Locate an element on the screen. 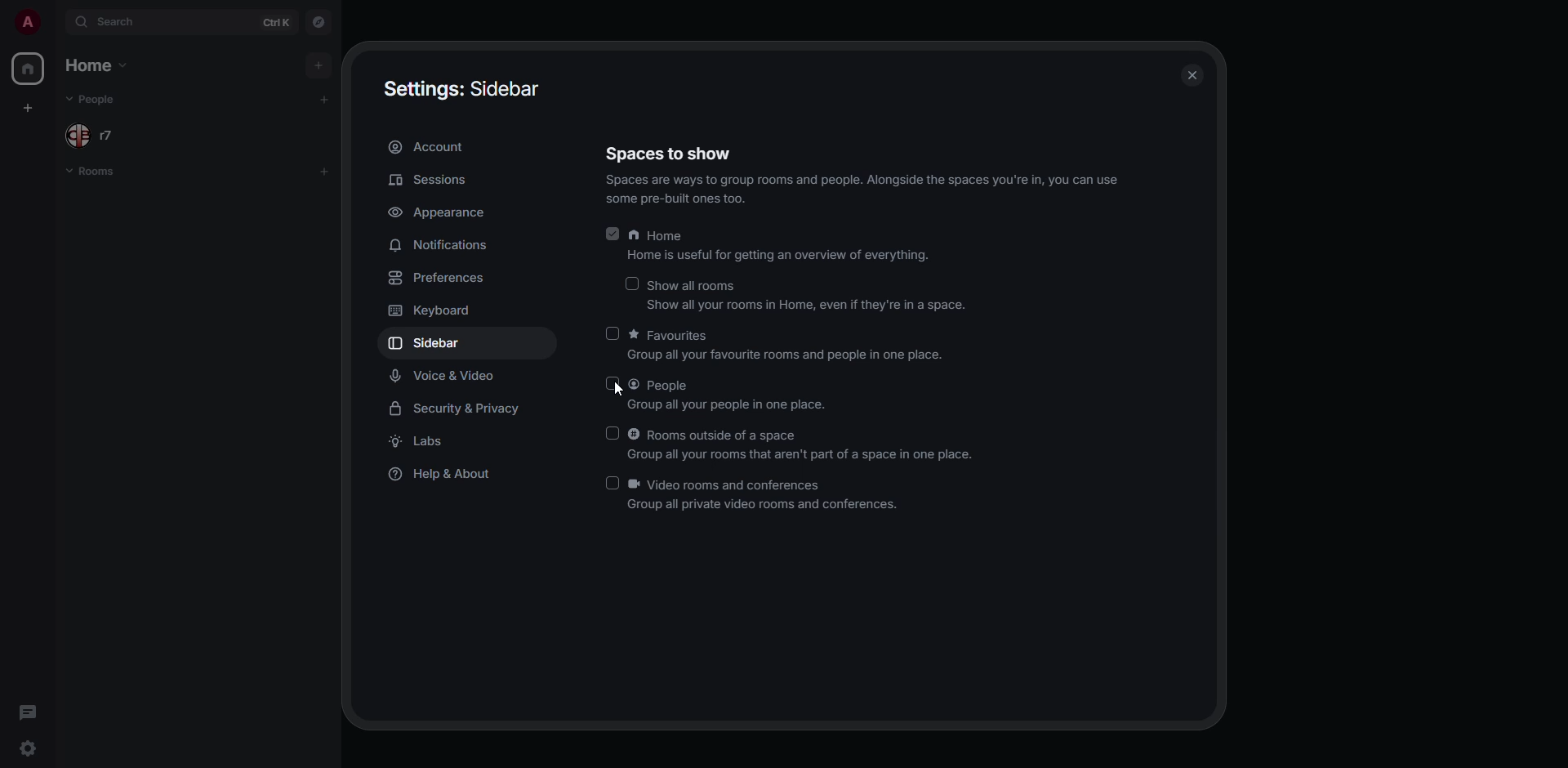 This screenshot has height=768, width=1568. close is located at coordinates (1188, 76).